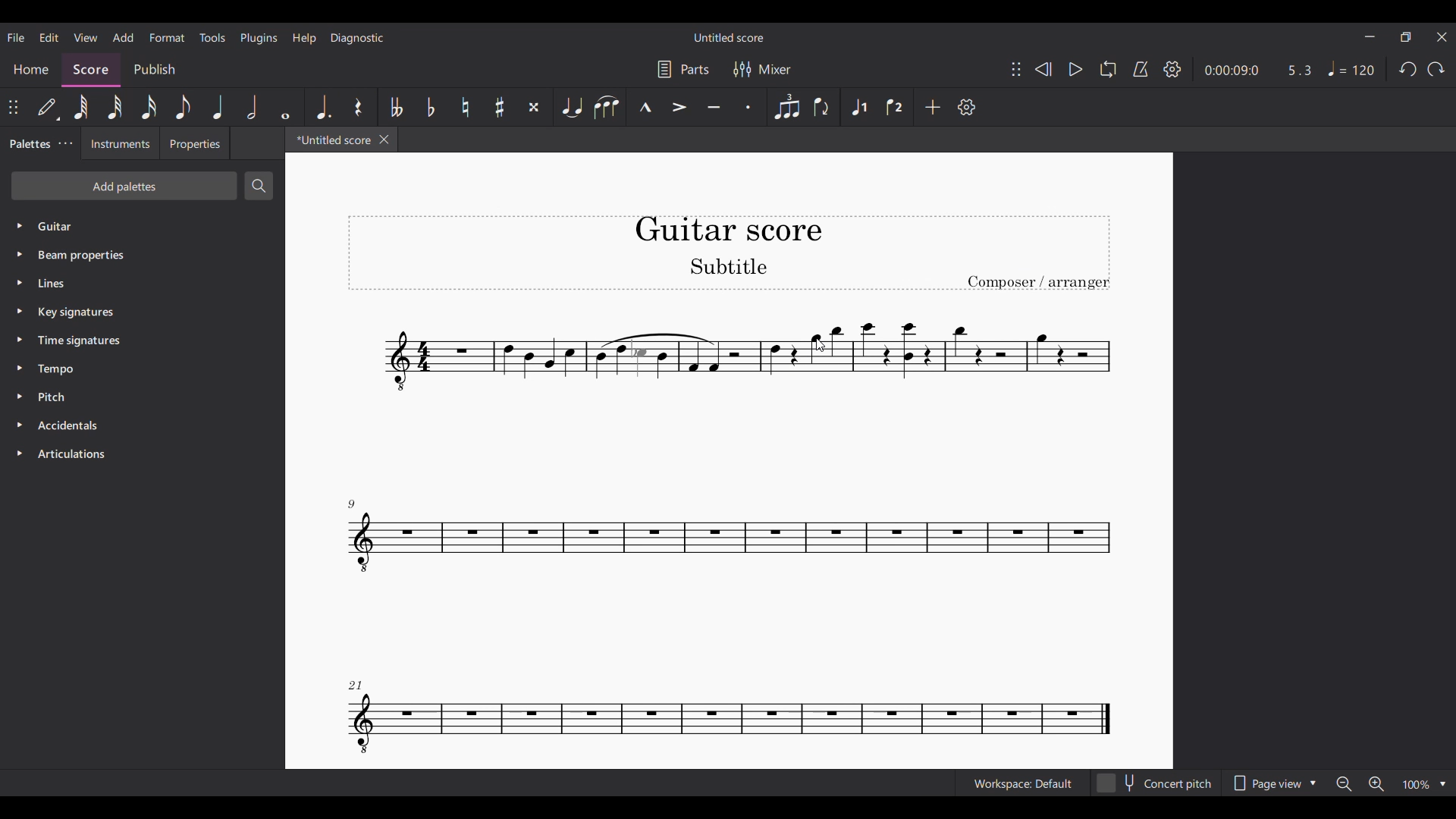 The height and width of the screenshot is (819, 1456). What do you see at coordinates (253, 107) in the screenshot?
I see `Half note` at bounding box center [253, 107].